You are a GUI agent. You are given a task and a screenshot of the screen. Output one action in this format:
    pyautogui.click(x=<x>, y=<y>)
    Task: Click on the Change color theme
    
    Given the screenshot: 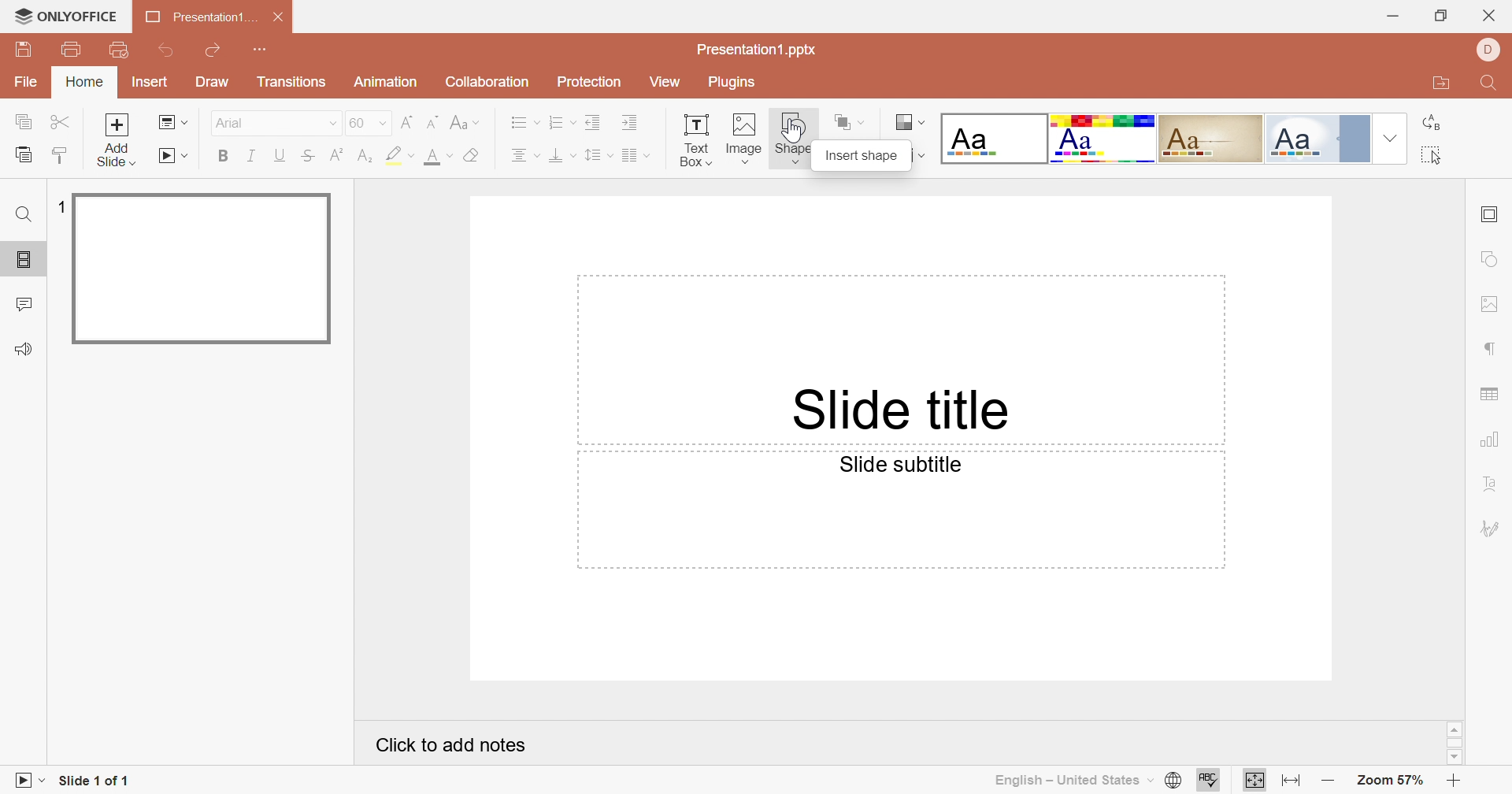 What is the action you would take?
    pyautogui.click(x=910, y=123)
    